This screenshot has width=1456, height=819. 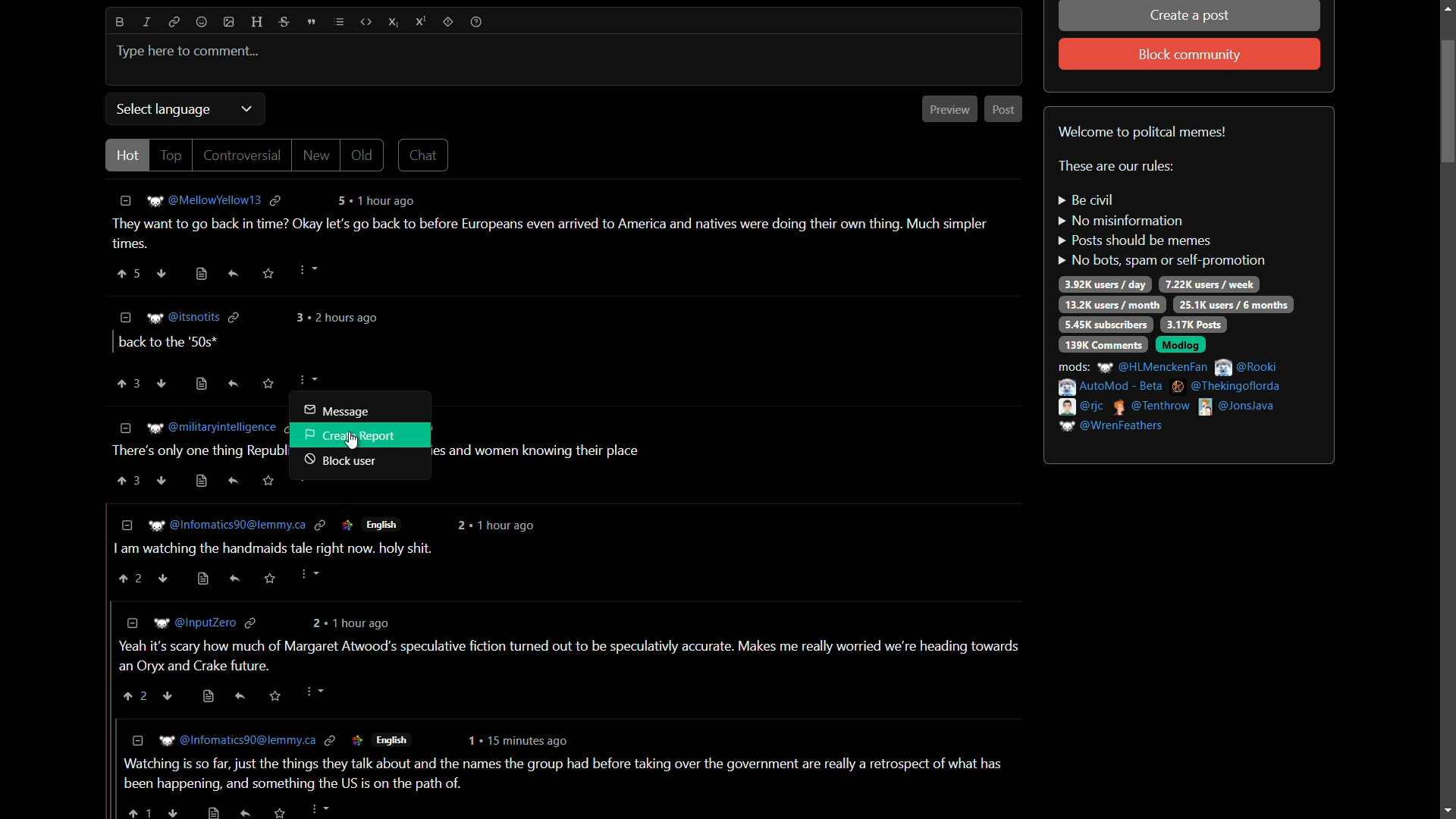 What do you see at coordinates (199, 384) in the screenshot?
I see `view source` at bounding box center [199, 384].